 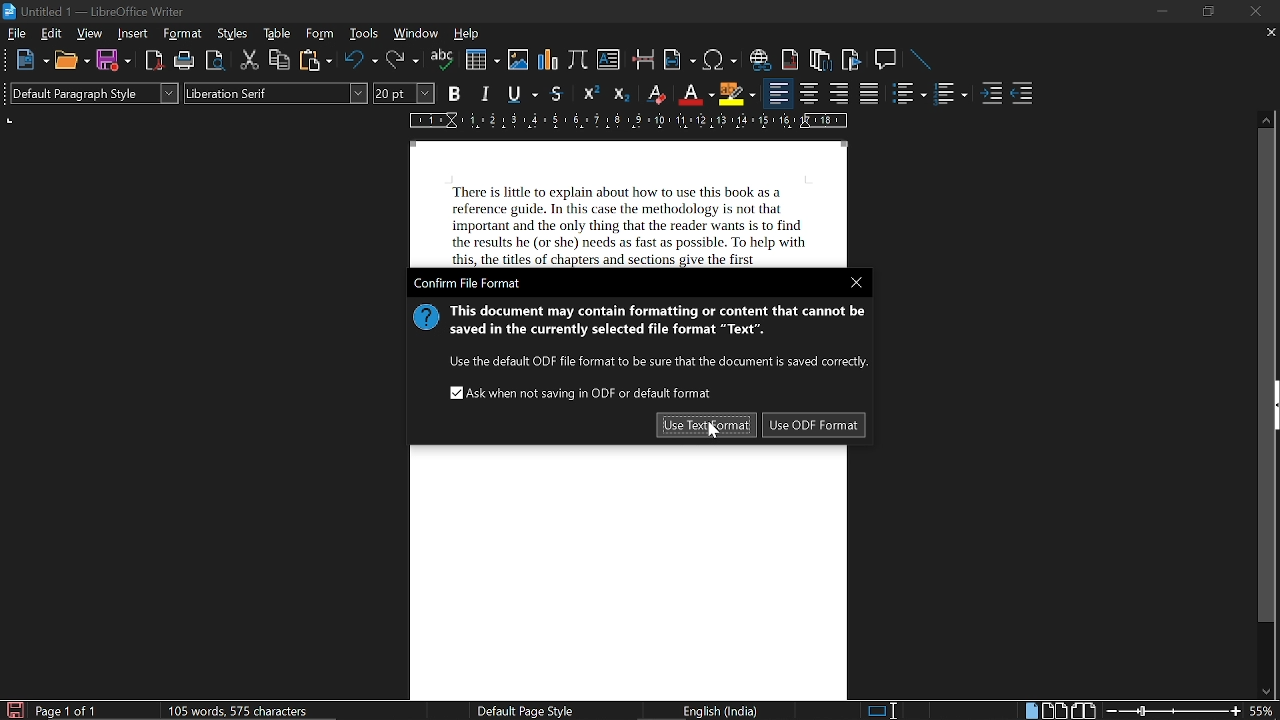 What do you see at coordinates (518, 60) in the screenshot?
I see `insert image` at bounding box center [518, 60].